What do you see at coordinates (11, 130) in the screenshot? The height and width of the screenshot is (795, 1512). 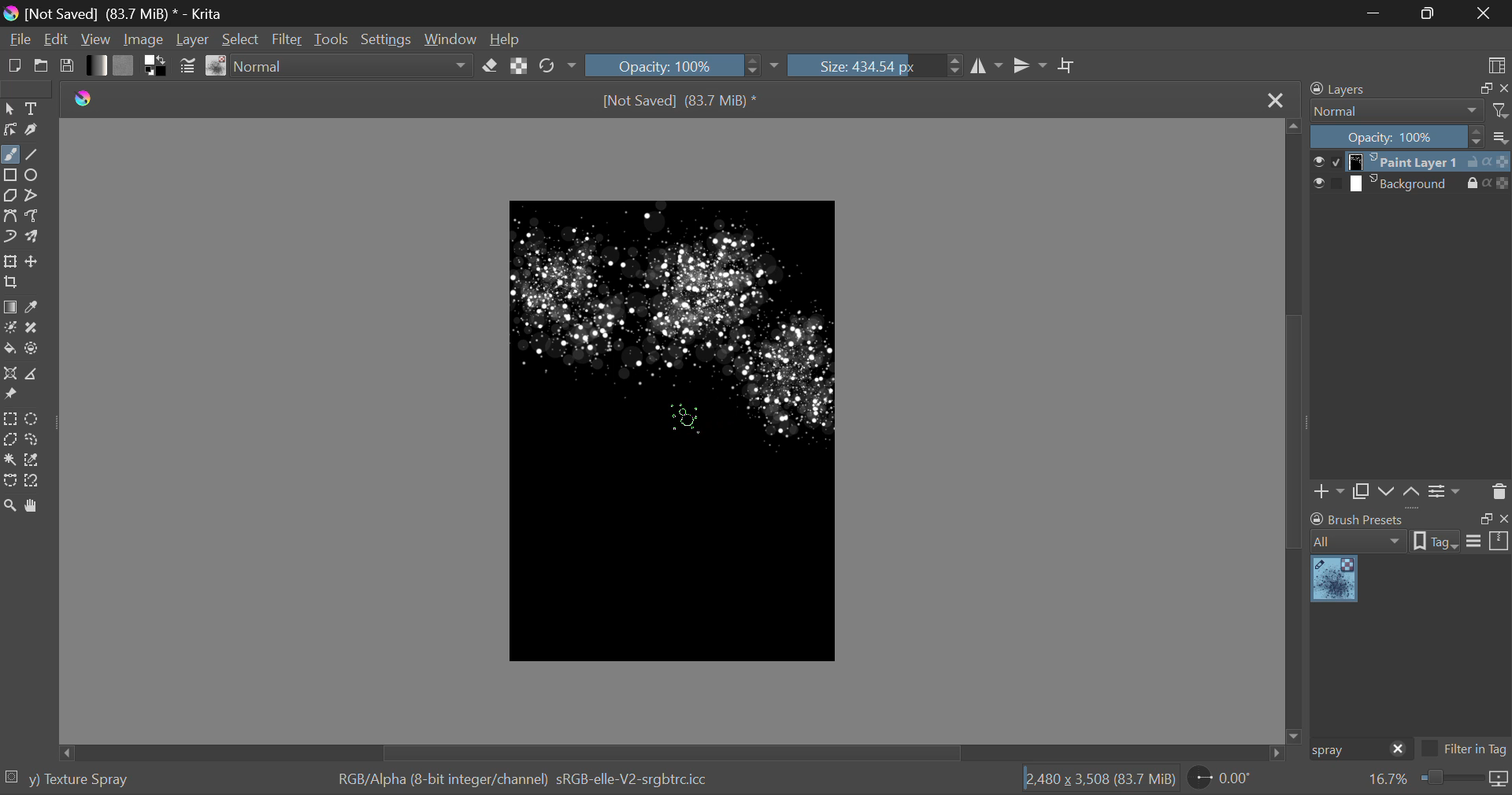 I see `Edit Shapes` at bounding box center [11, 130].